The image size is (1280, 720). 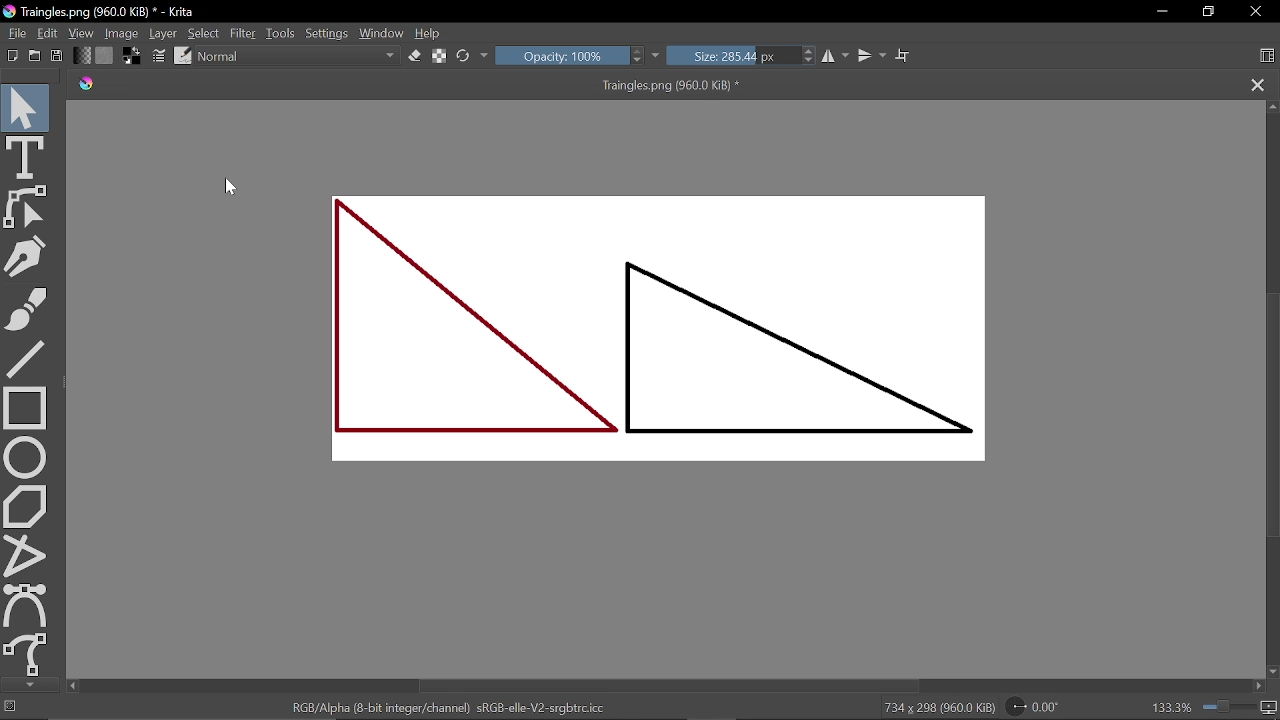 What do you see at coordinates (437, 57) in the screenshot?
I see `preserve alpha` at bounding box center [437, 57].